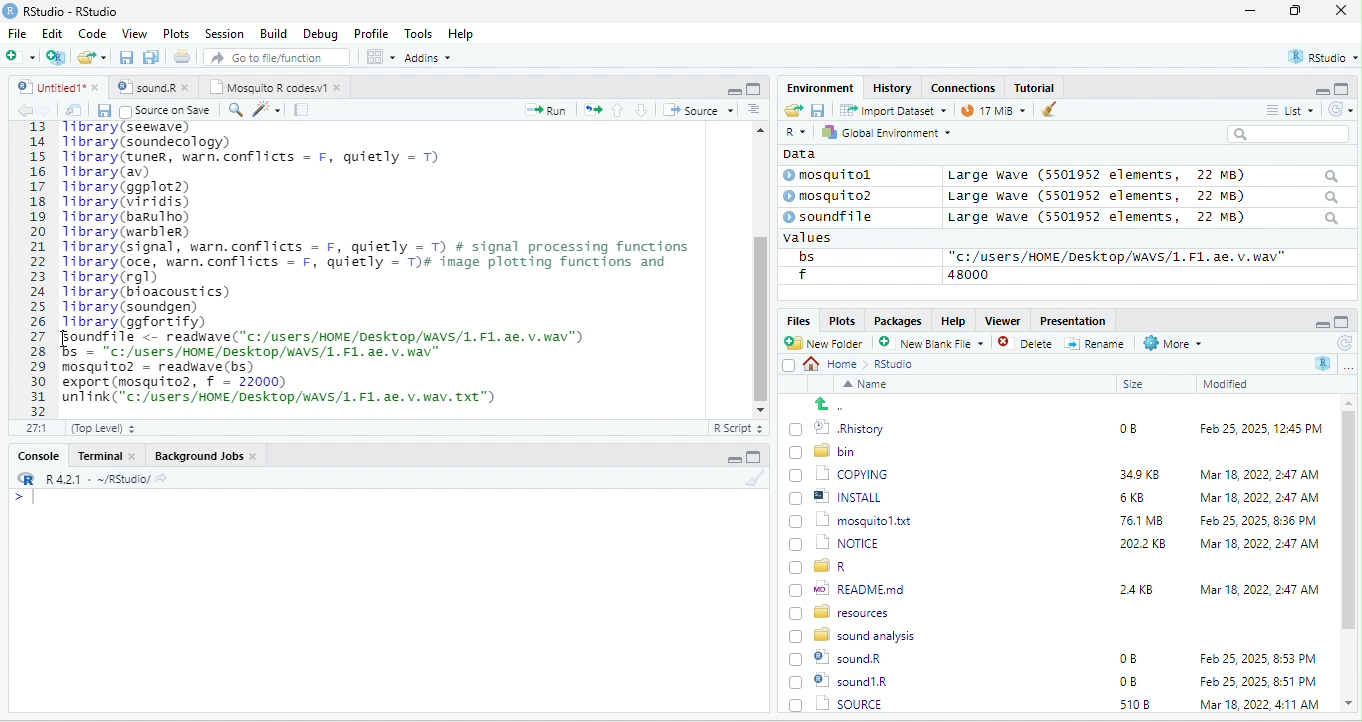 The width and height of the screenshot is (1362, 722). What do you see at coordinates (848, 681) in the screenshot?
I see `| SOURCE` at bounding box center [848, 681].